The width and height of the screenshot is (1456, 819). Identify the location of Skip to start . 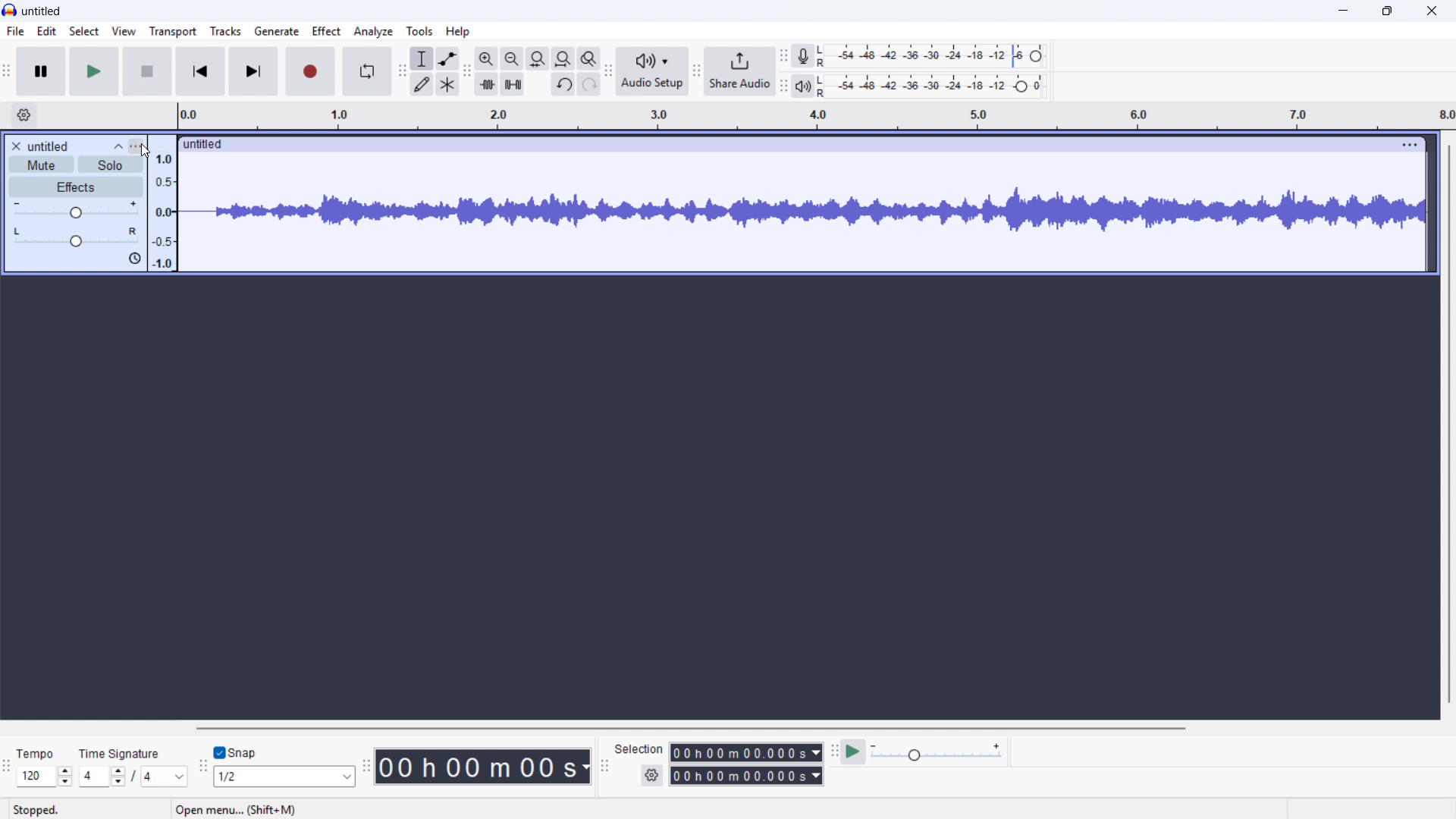
(199, 72).